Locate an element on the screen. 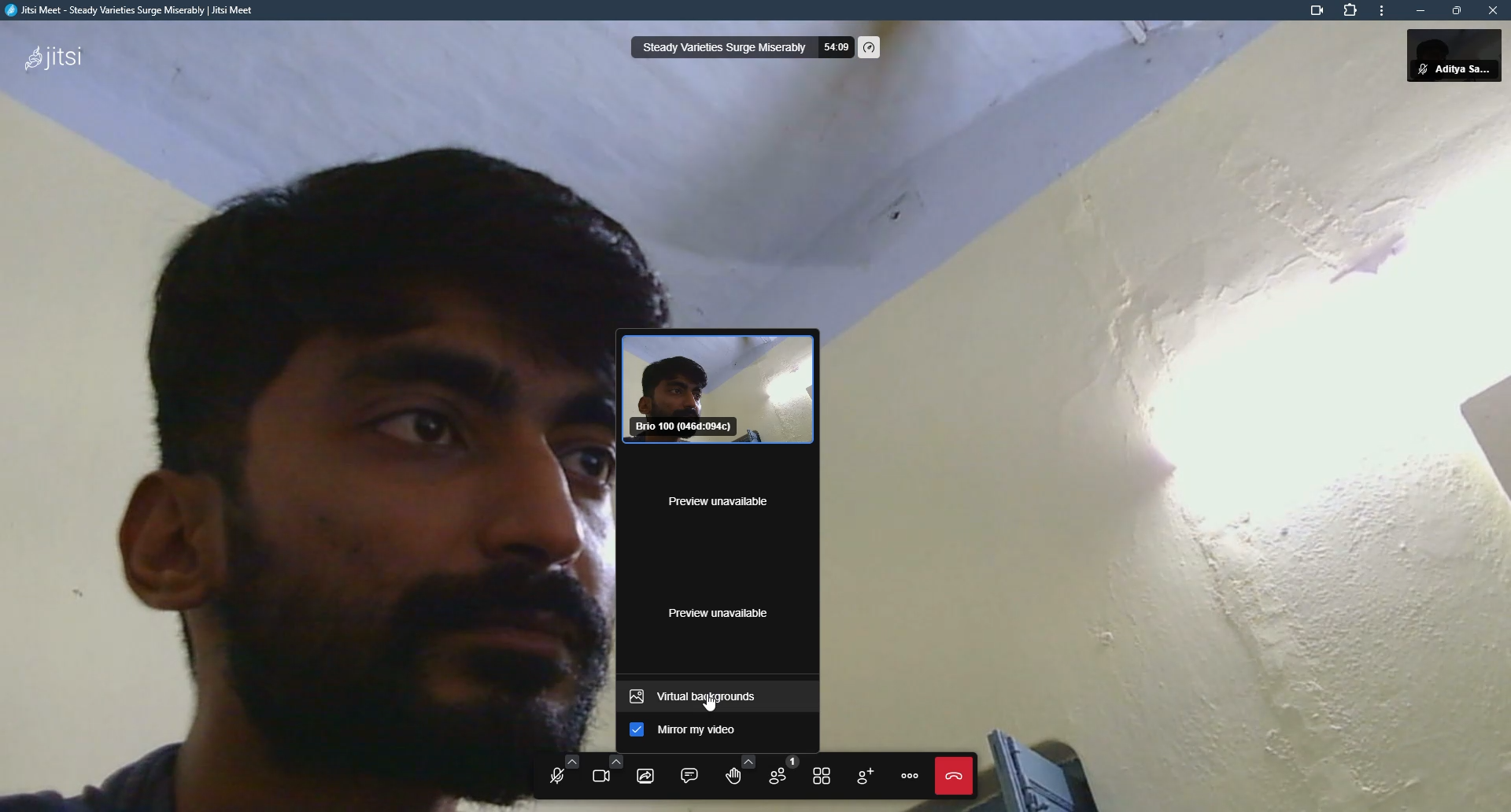 This screenshot has width=1511, height=812. preview unavailable is located at coordinates (715, 500).